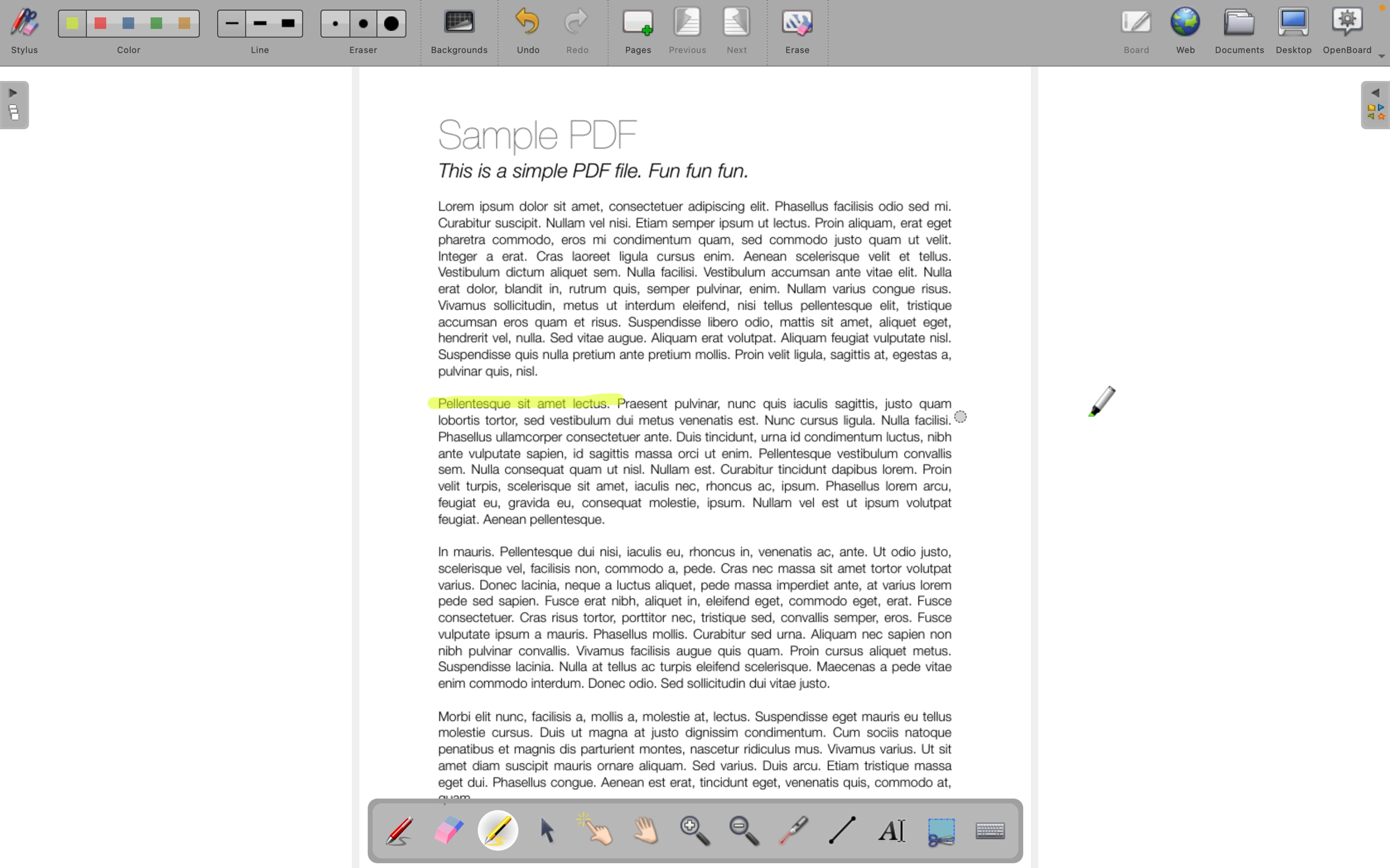 The width and height of the screenshot is (1390, 868). Describe the element at coordinates (847, 831) in the screenshot. I see `draw line` at that location.